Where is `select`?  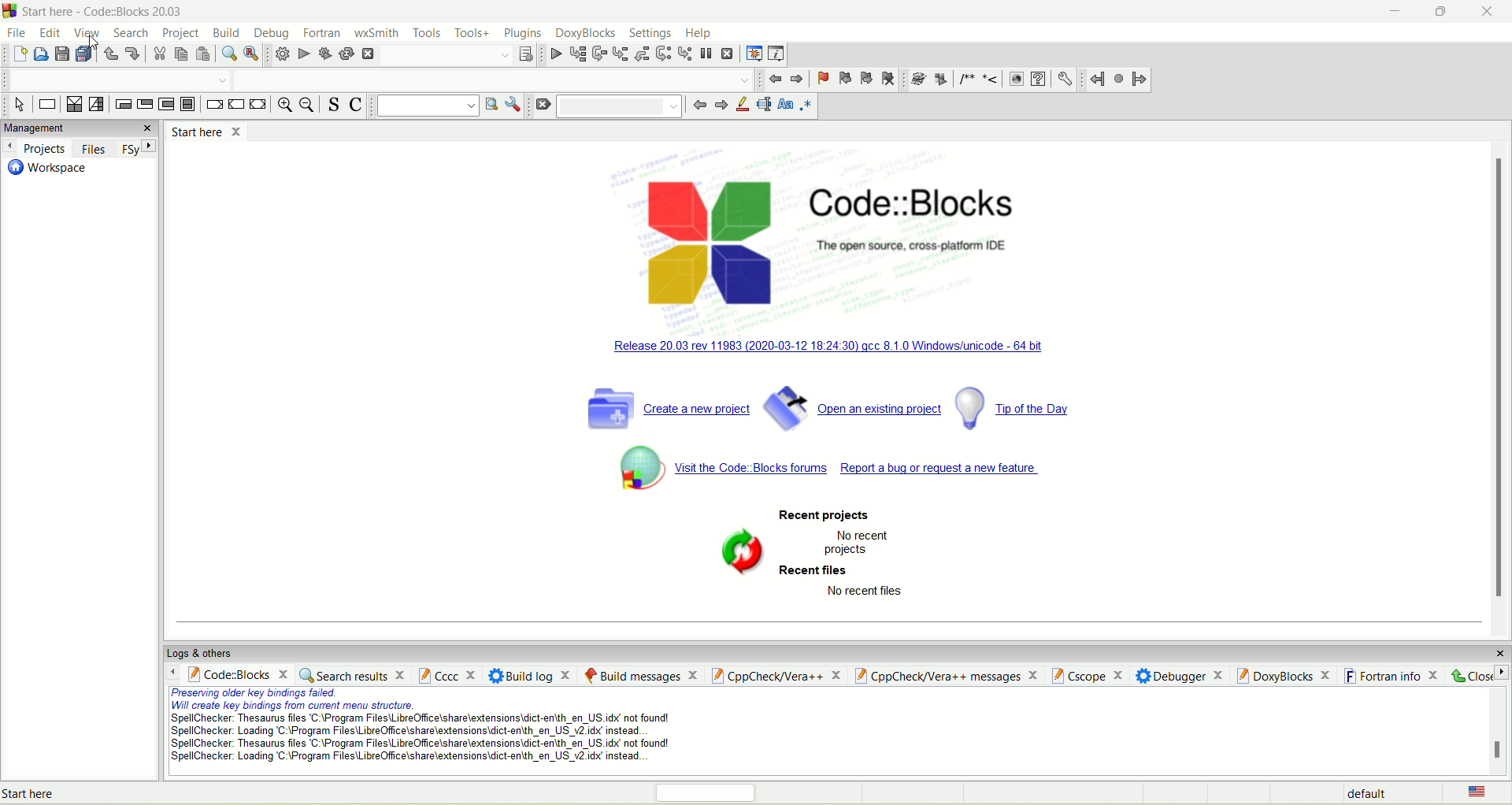 select is located at coordinates (17, 104).